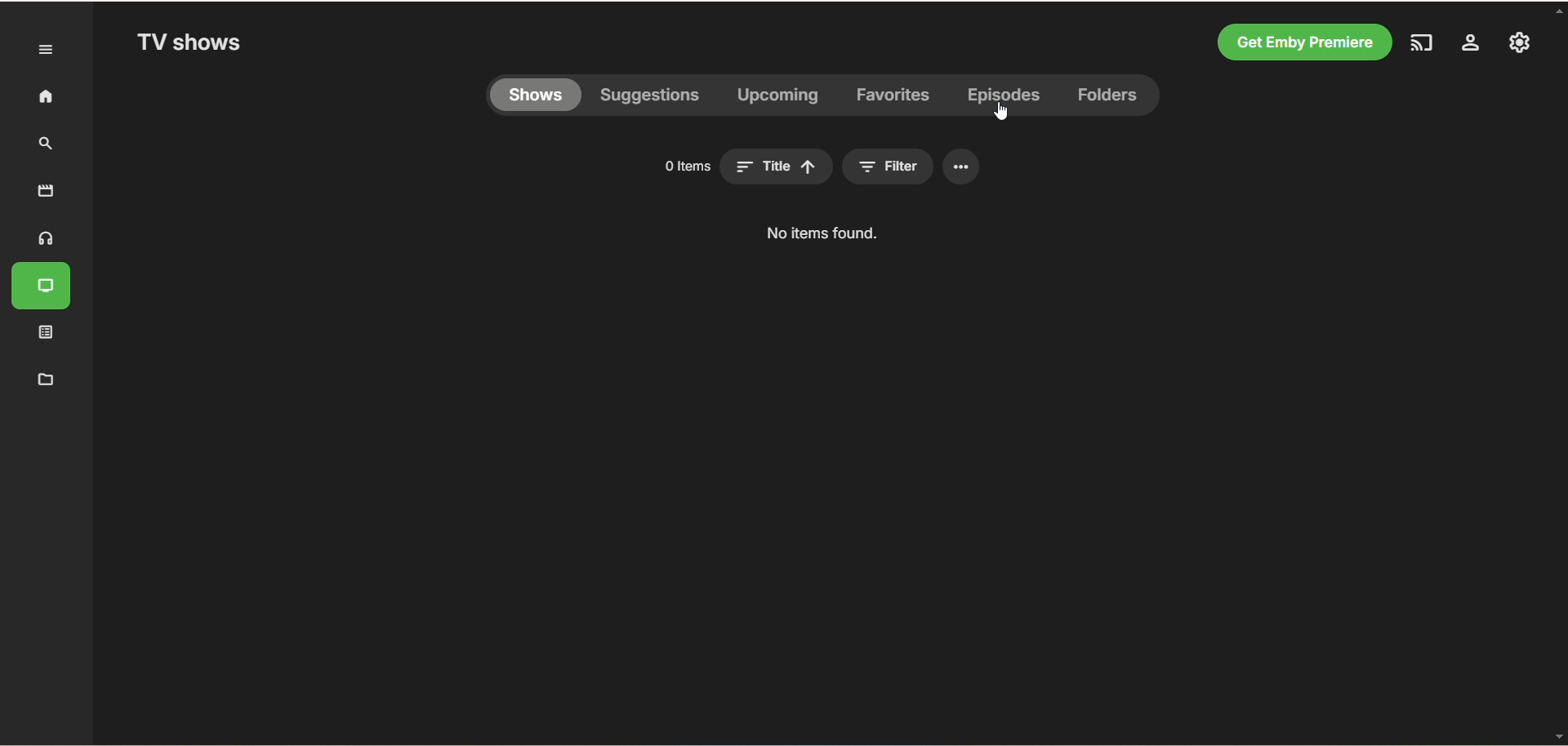 This screenshot has width=1568, height=746. What do you see at coordinates (46, 144) in the screenshot?
I see `search` at bounding box center [46, 144].